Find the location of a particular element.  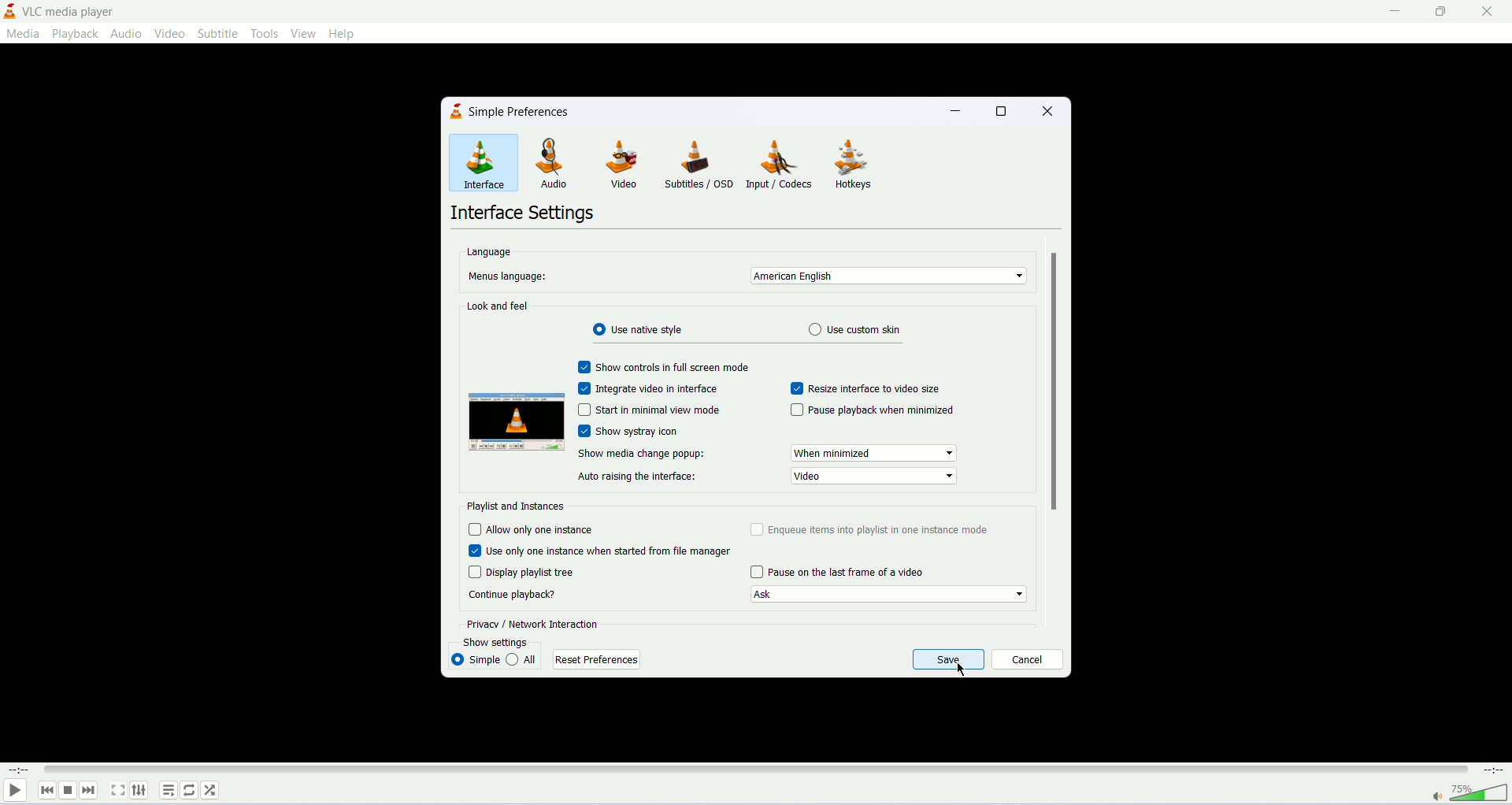

minimize is located at coordinates (959, 113).